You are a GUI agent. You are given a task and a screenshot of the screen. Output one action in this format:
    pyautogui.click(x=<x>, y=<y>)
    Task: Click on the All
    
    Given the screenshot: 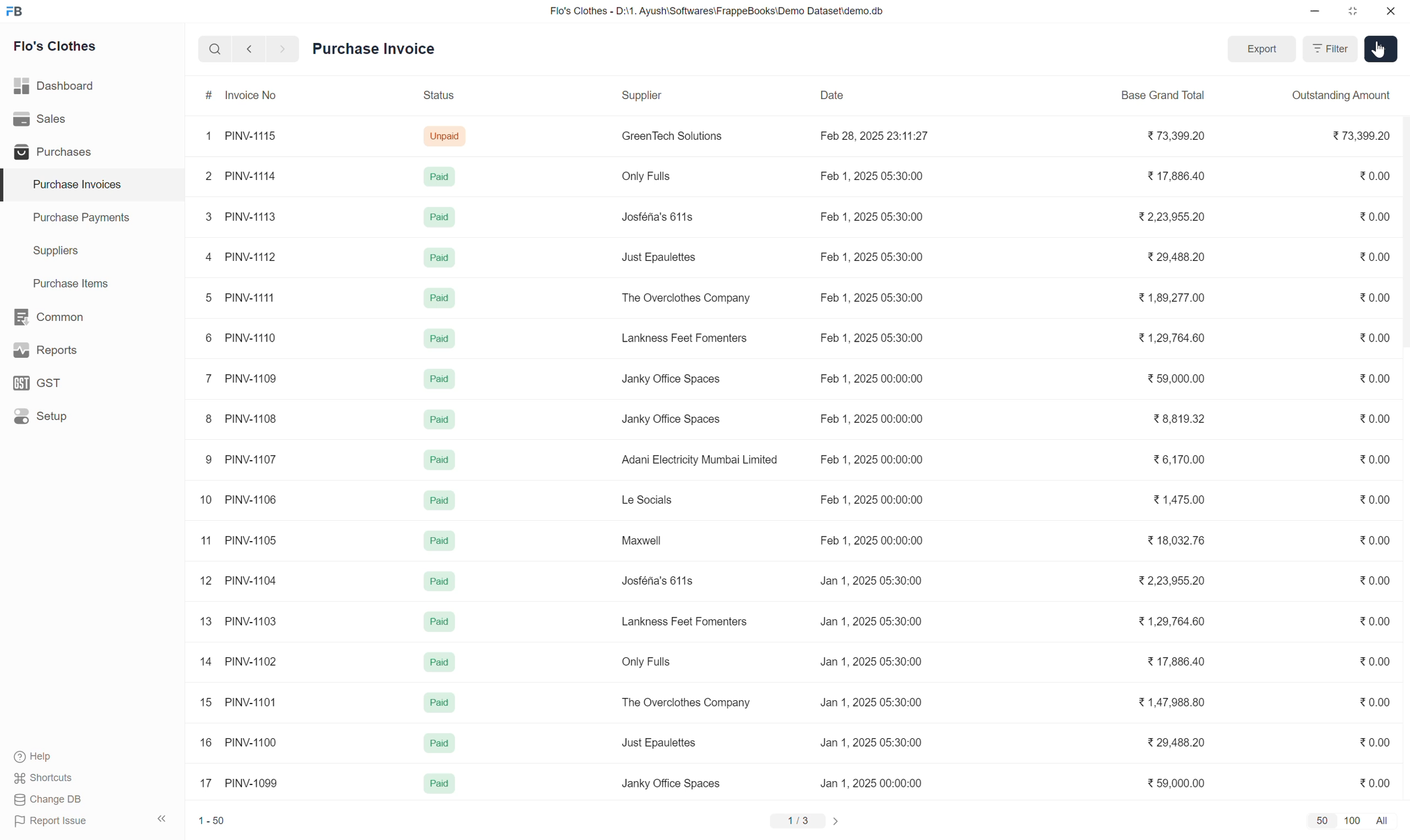 What is the action you would take?
    pyautogui.click(x=1385, y=820)
    